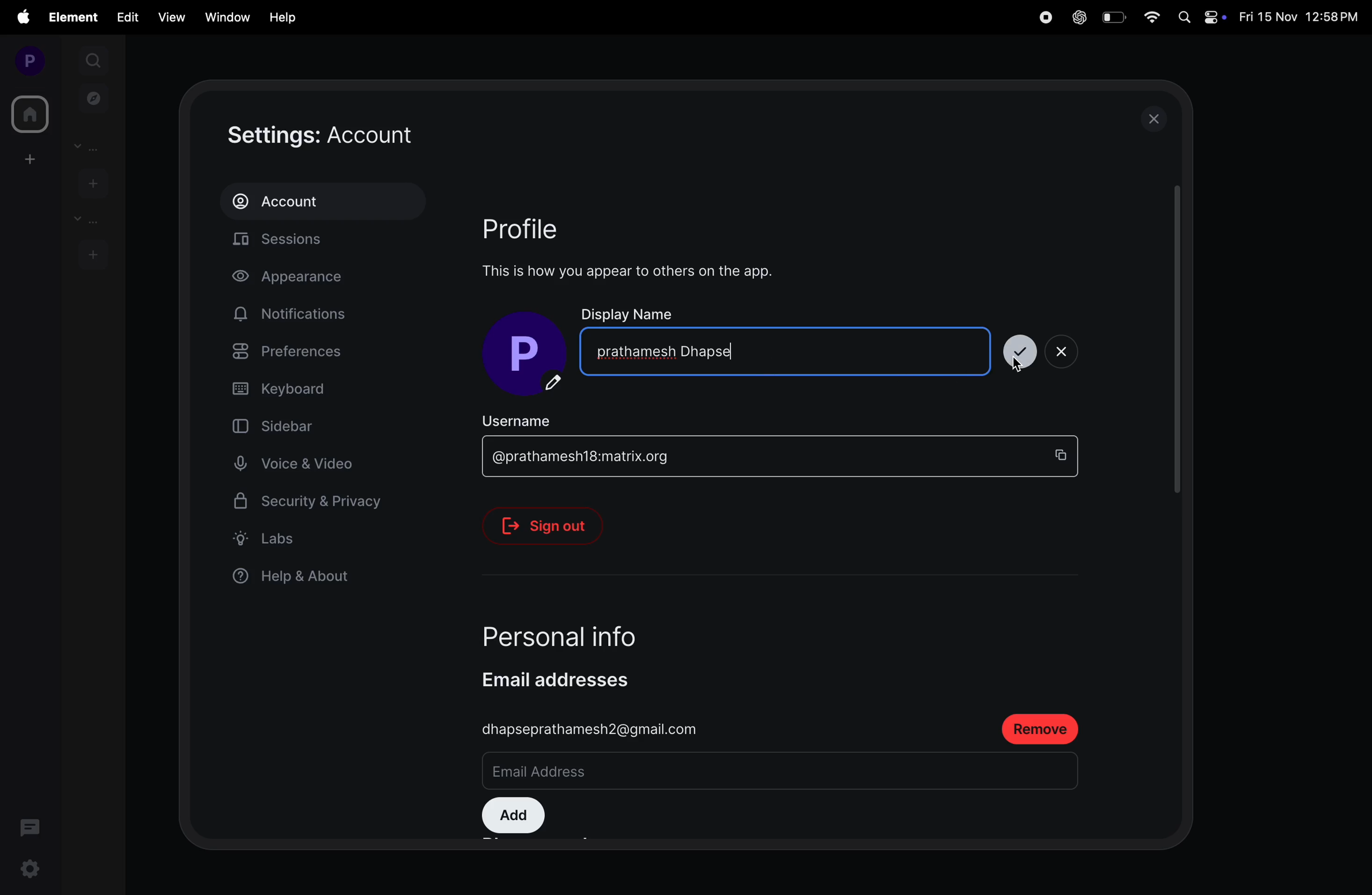 This screenshot has height=895, width=1372. What do you see at coordinates (84, 220) in the screenshot?
I see `rooms` at bounding box center [84, 220].